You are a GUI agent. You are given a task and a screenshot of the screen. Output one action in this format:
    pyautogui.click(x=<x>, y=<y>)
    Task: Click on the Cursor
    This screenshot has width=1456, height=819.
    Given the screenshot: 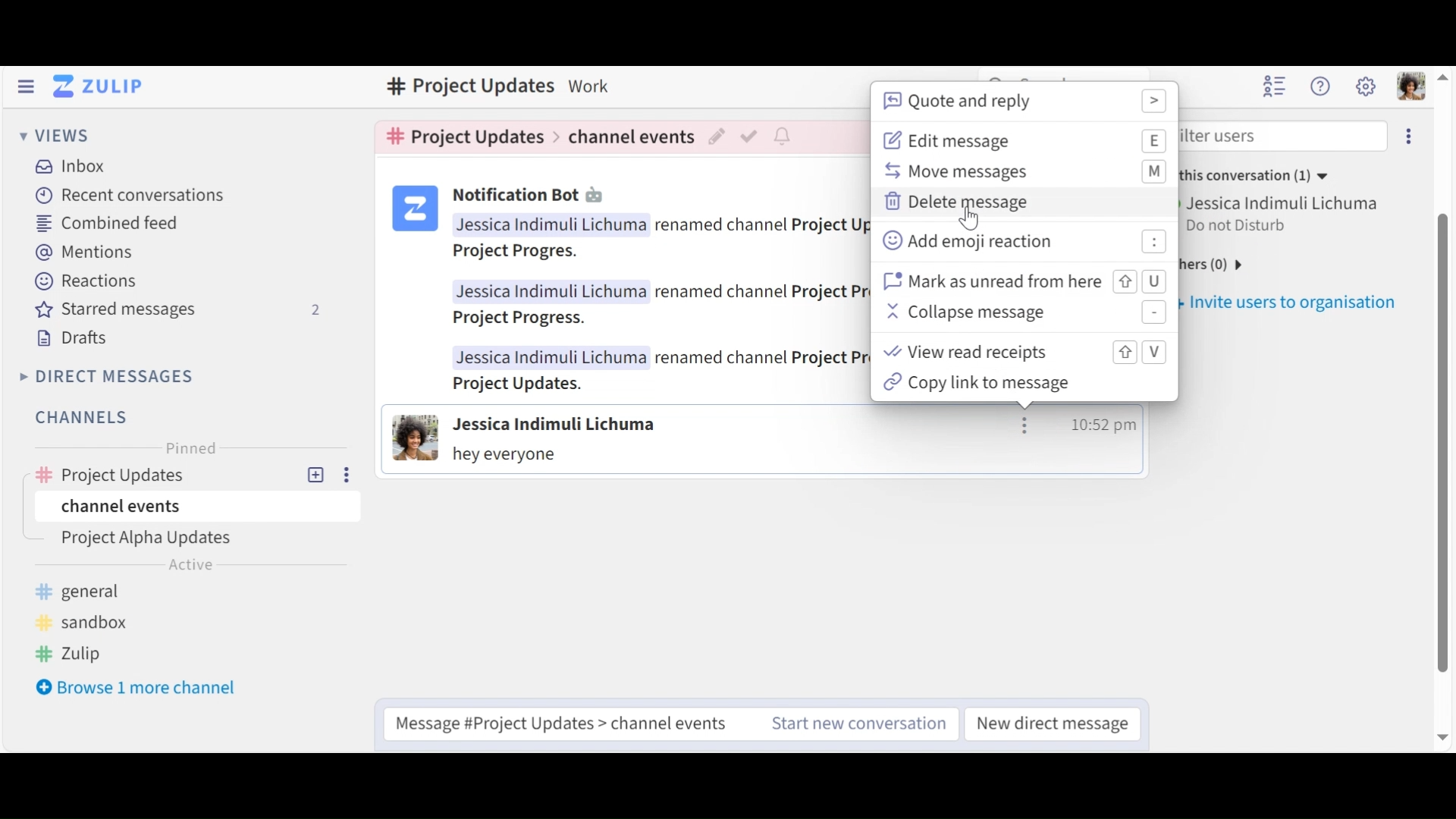 What is the action you would take?
    pyautogui.click(x=970, y=221)
    